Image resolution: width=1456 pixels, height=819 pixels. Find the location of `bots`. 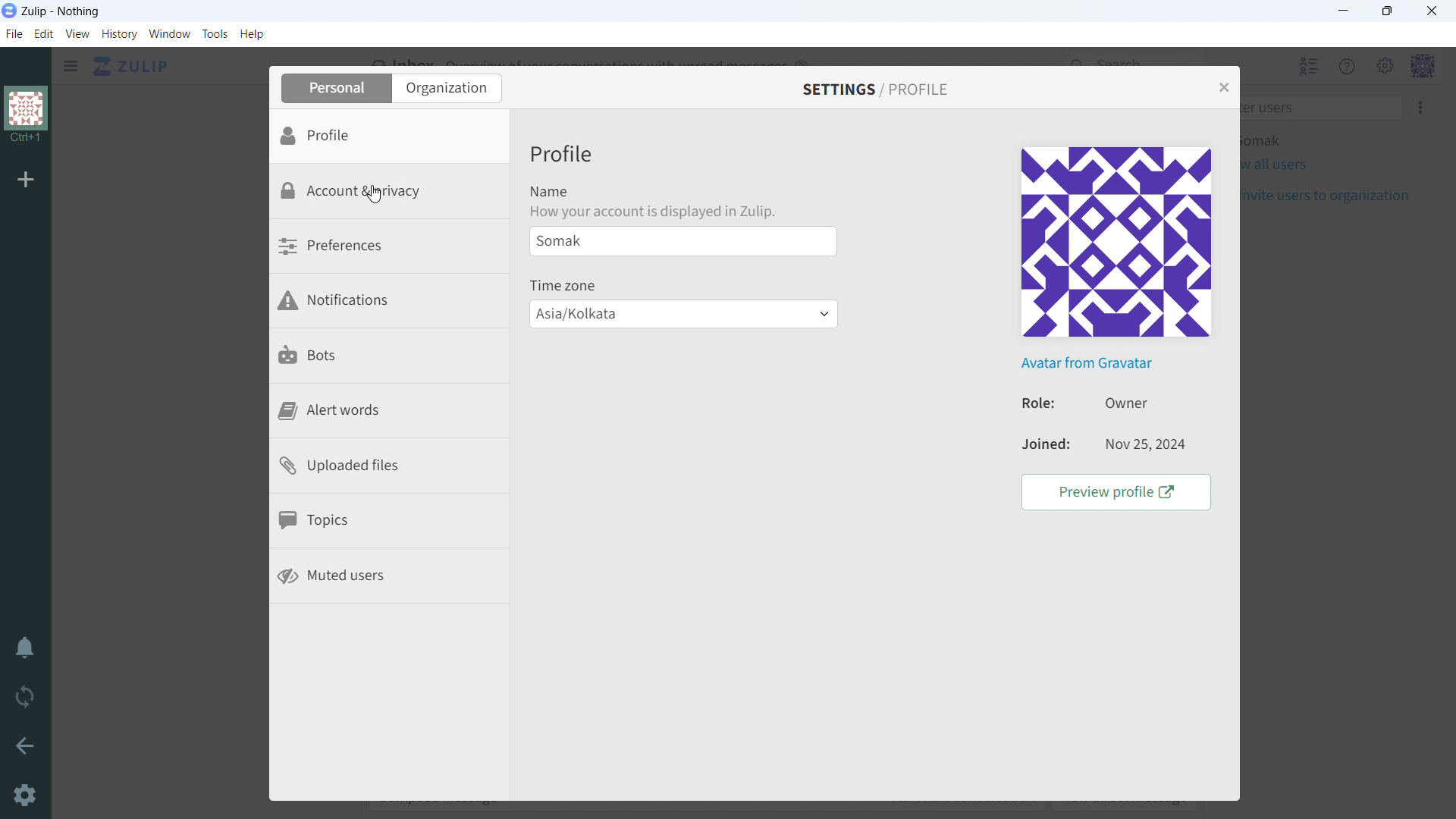

bots is located at coordinates (391, 358).